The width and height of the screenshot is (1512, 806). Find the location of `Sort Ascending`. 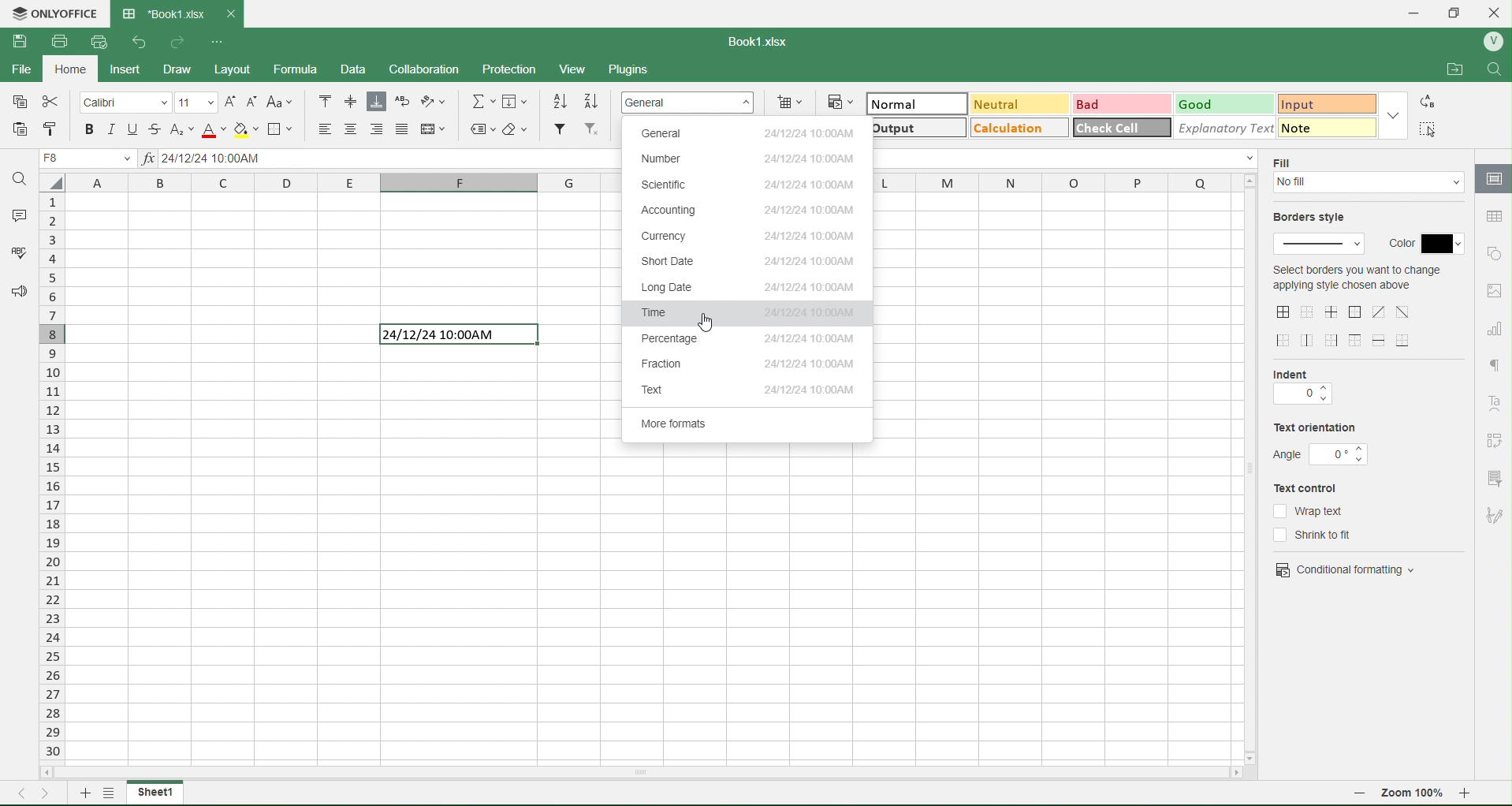

Sort Ascending is located at coordinates (561, 101).